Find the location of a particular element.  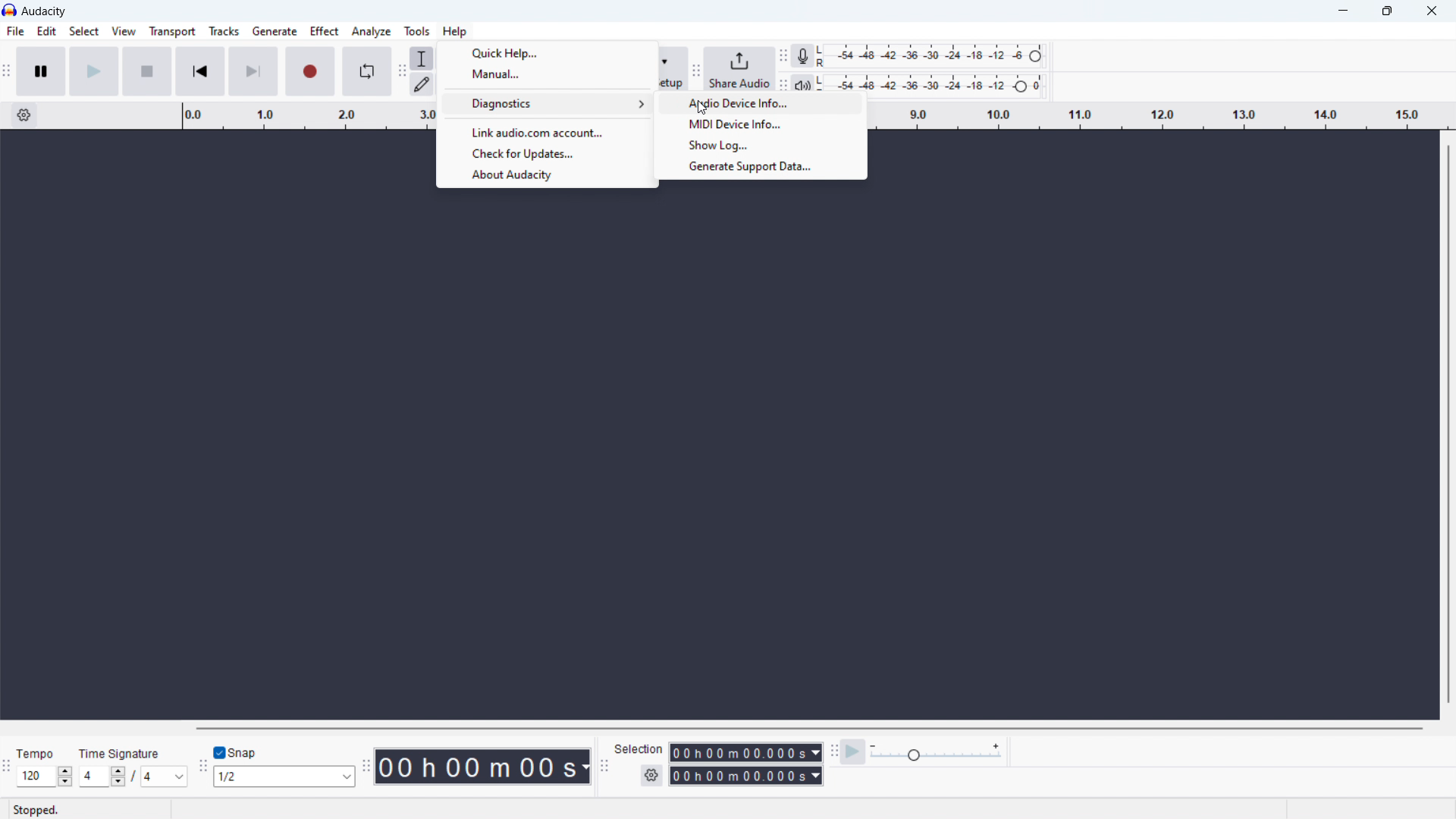

diagnostics is located at coordinates (547, 105).